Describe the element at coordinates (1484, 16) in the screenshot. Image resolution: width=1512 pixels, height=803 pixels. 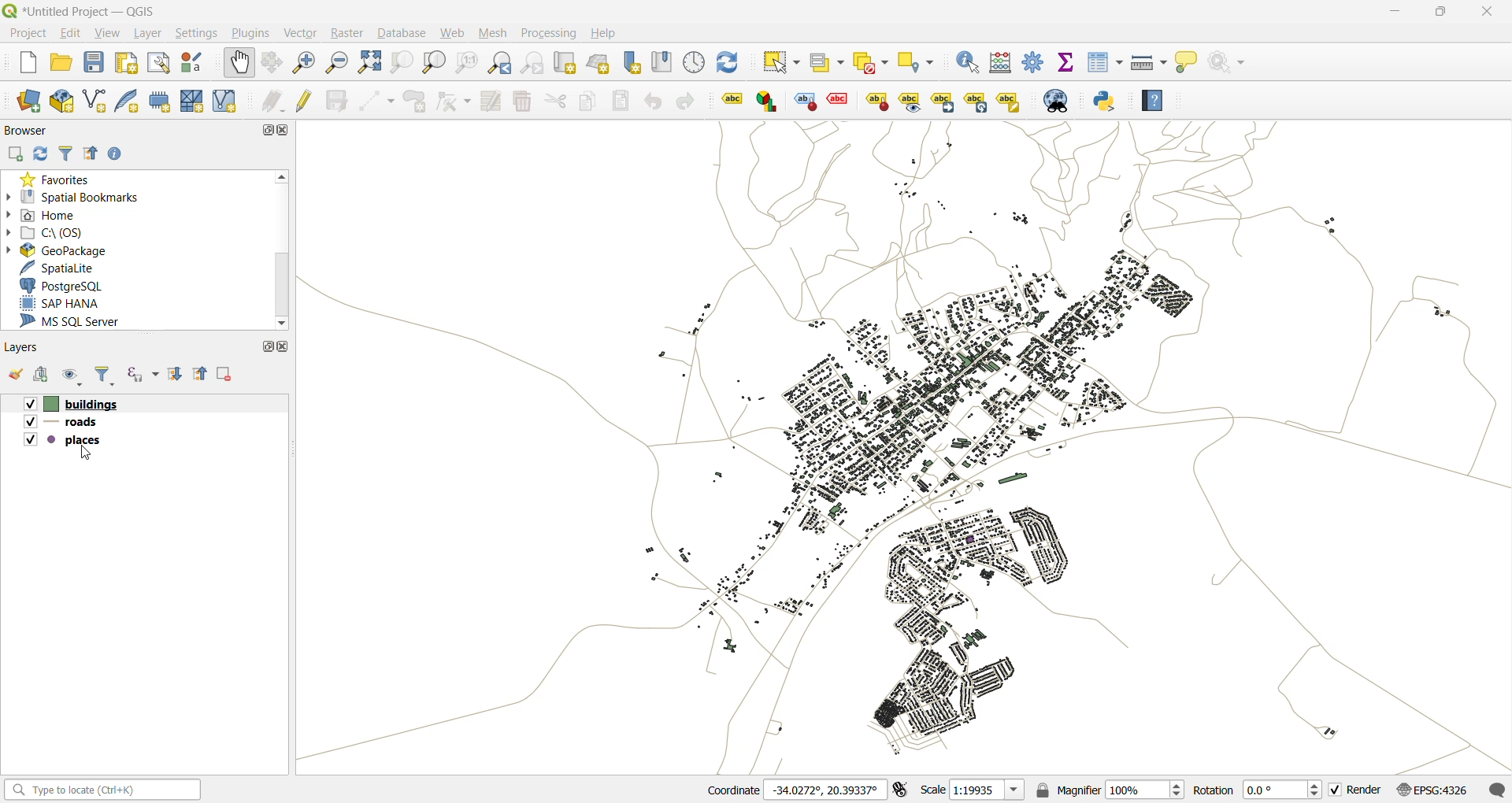
I see `close` at that location.